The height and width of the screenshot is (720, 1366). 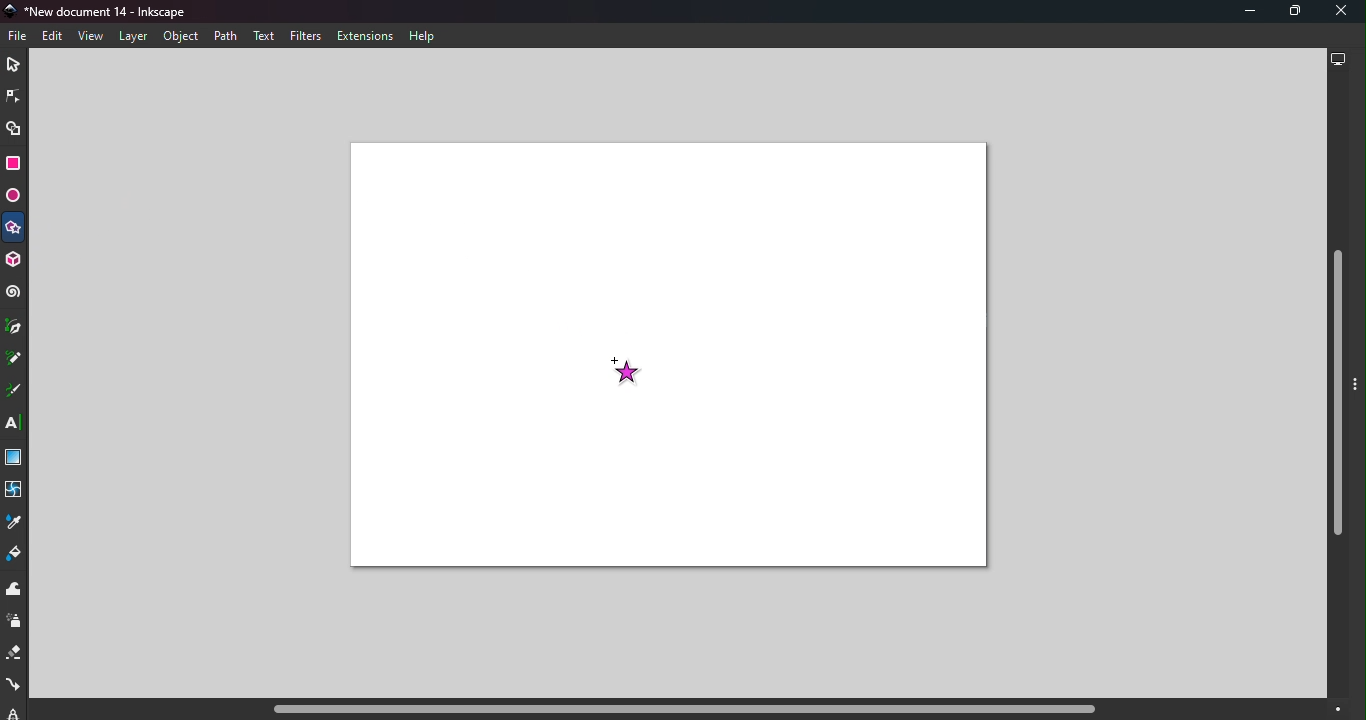 I want to click on Text, so click(x=264, y=36).